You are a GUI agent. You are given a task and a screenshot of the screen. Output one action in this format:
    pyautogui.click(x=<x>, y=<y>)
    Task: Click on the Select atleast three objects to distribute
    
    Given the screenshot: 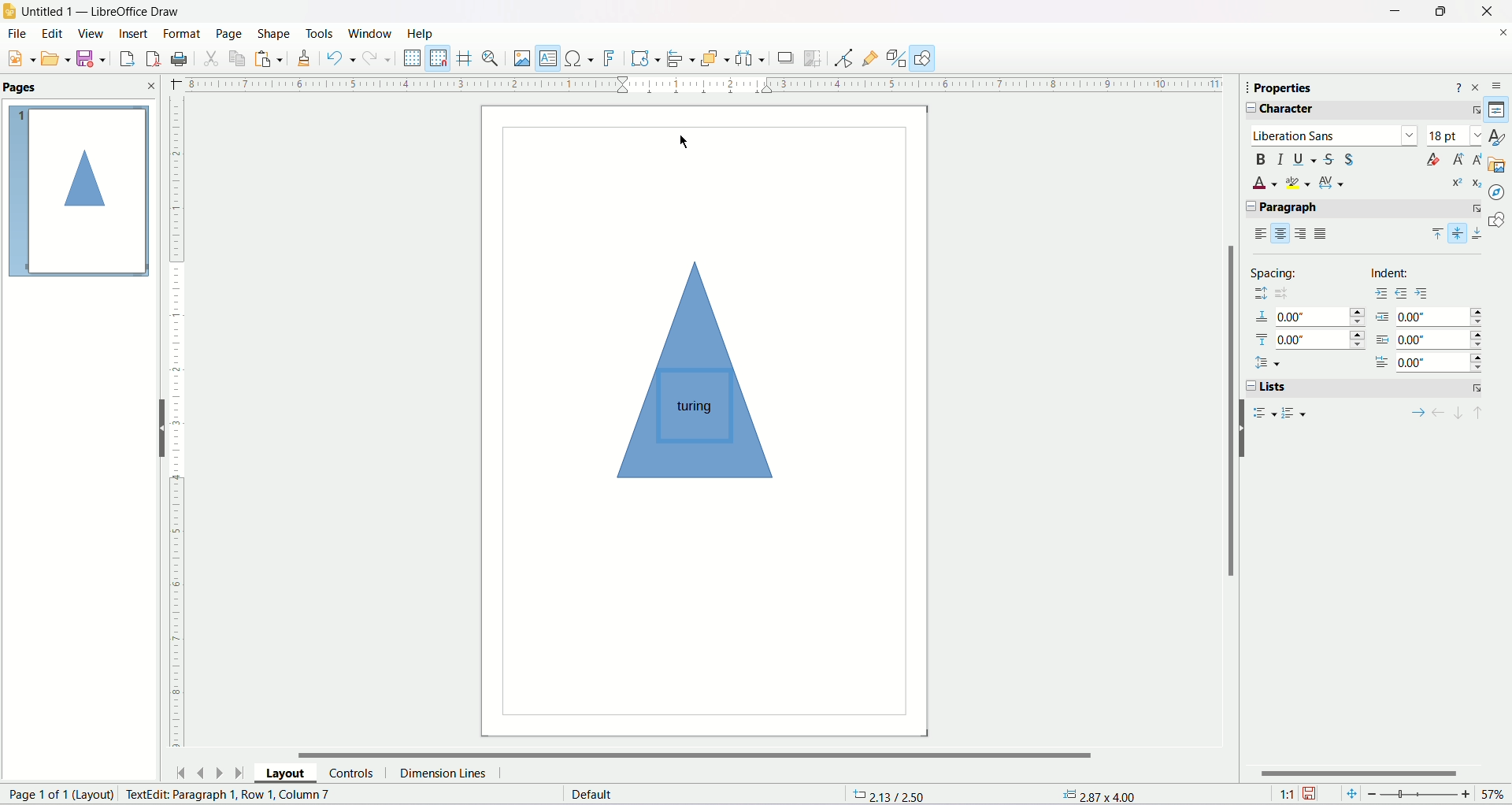 What is the action you would take?
    pyautogui.click(x=749, y=58)
    